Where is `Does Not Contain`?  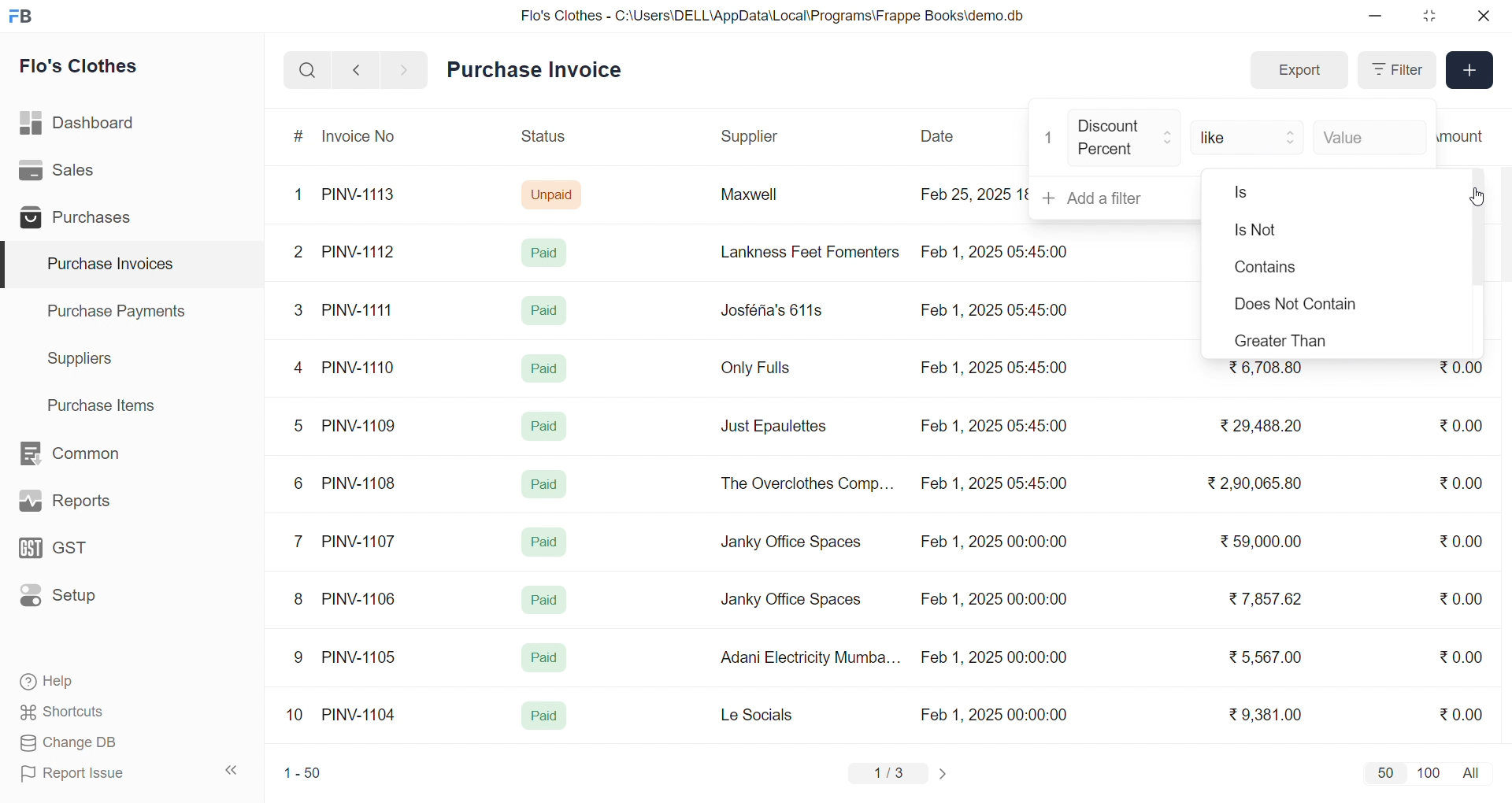
Does Not Contain is located at coordinates (1291, 305).